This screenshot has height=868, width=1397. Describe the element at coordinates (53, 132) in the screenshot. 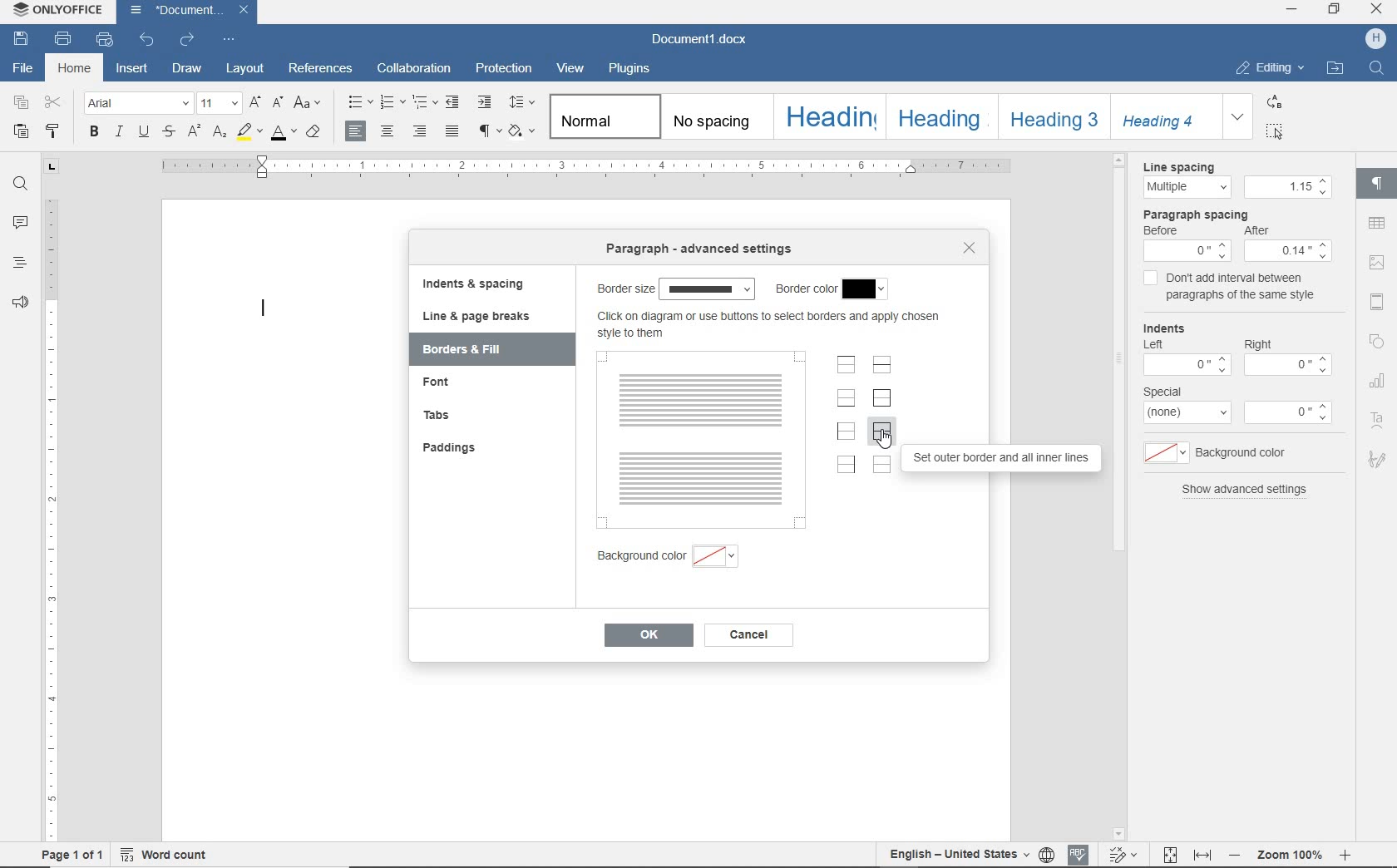

I see `copy style` at that location.